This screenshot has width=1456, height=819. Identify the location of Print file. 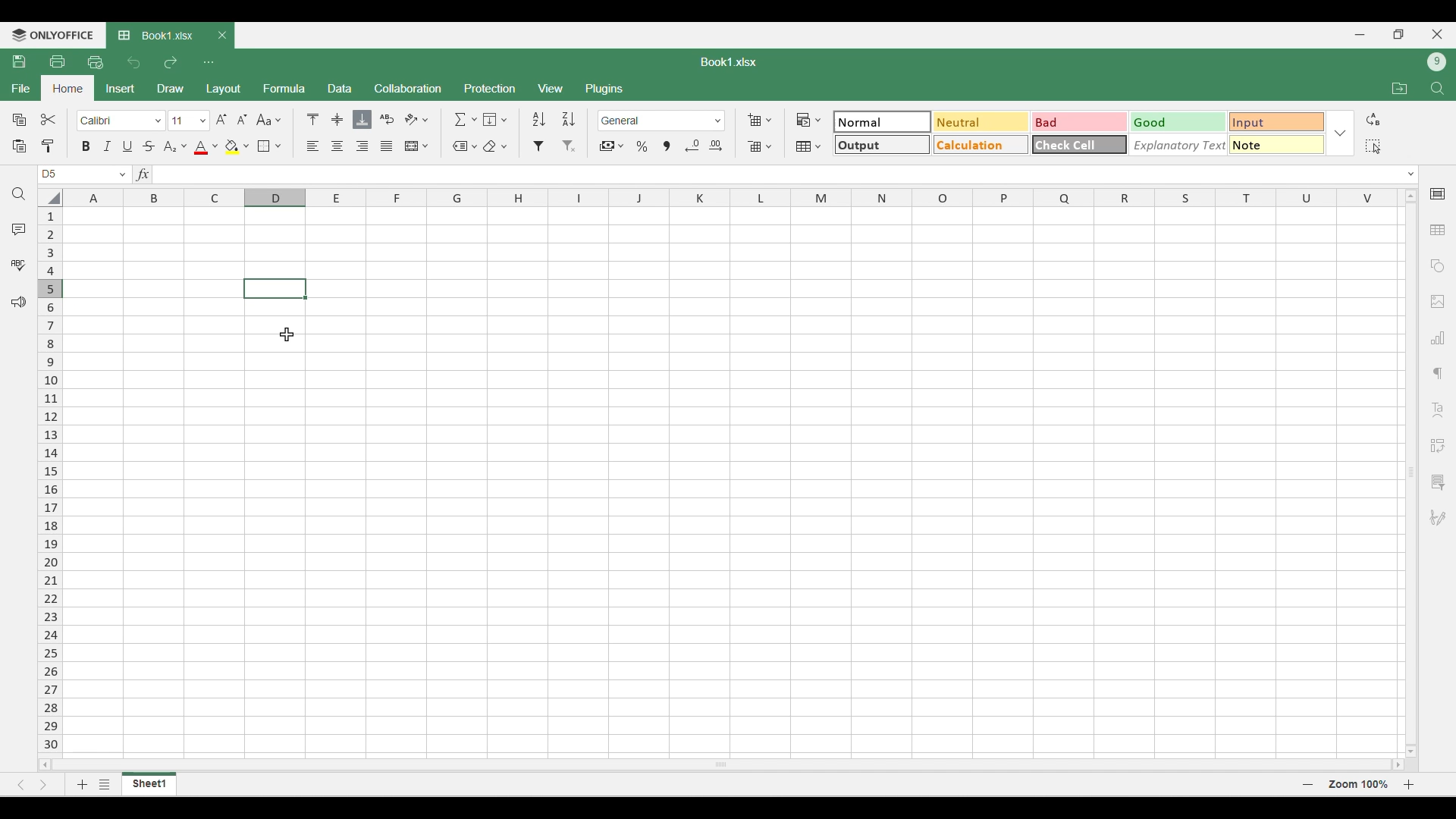
(57, 61).